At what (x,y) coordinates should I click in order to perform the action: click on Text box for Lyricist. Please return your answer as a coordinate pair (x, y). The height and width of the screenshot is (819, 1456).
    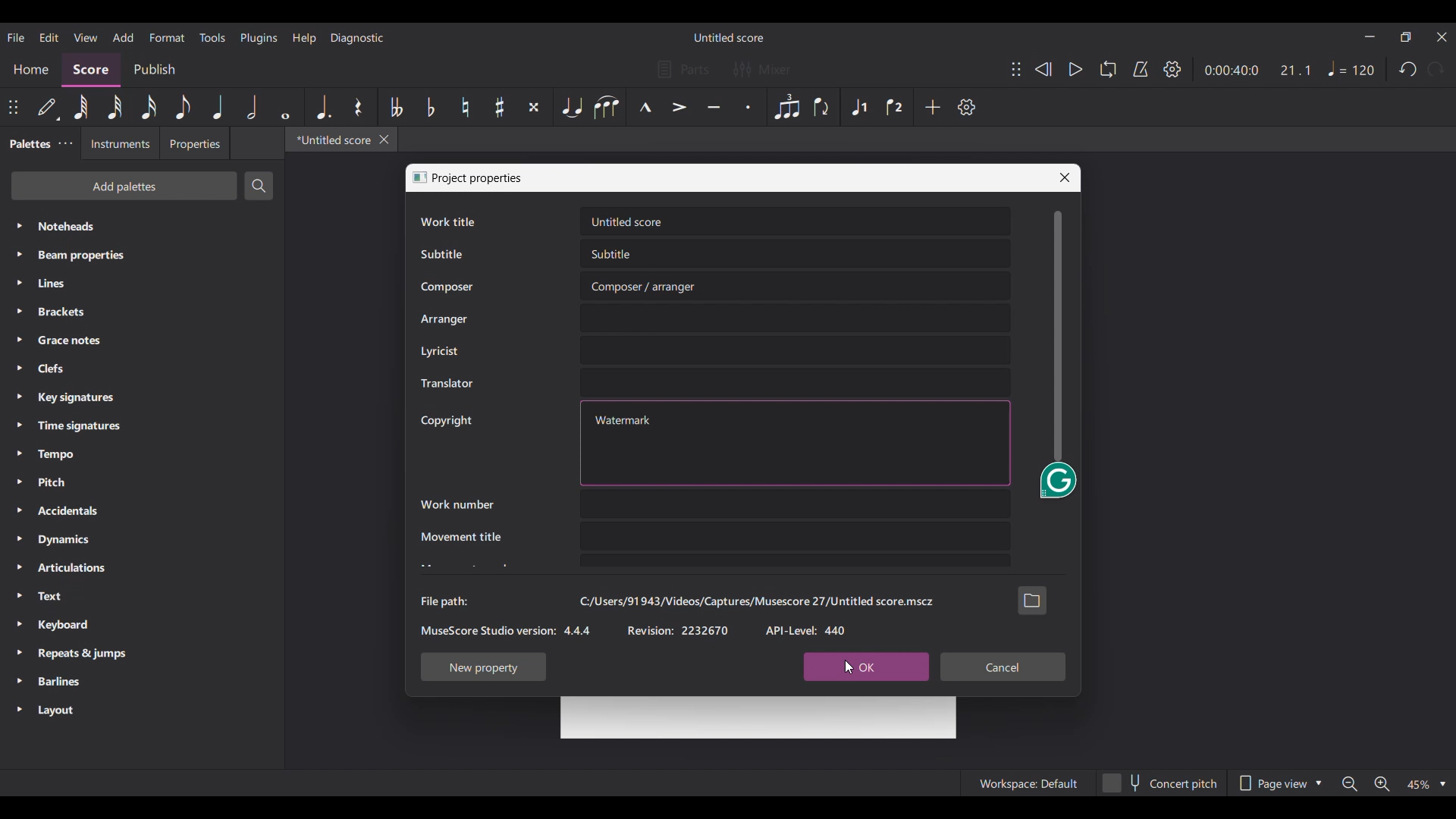
    Looking at the image, I should click on (795, 350).